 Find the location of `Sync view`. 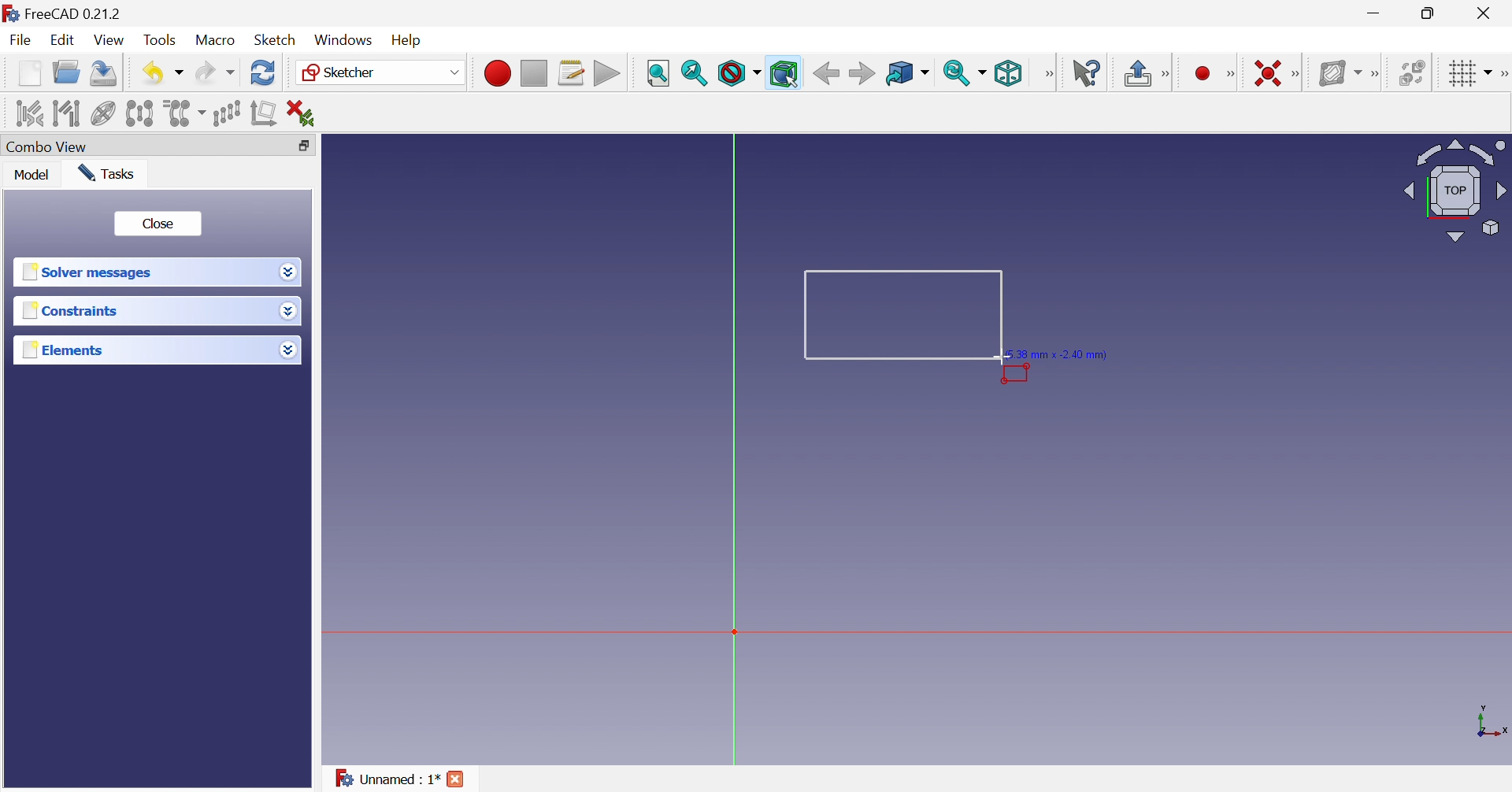

Sync view is located at coordinates (965, 73).